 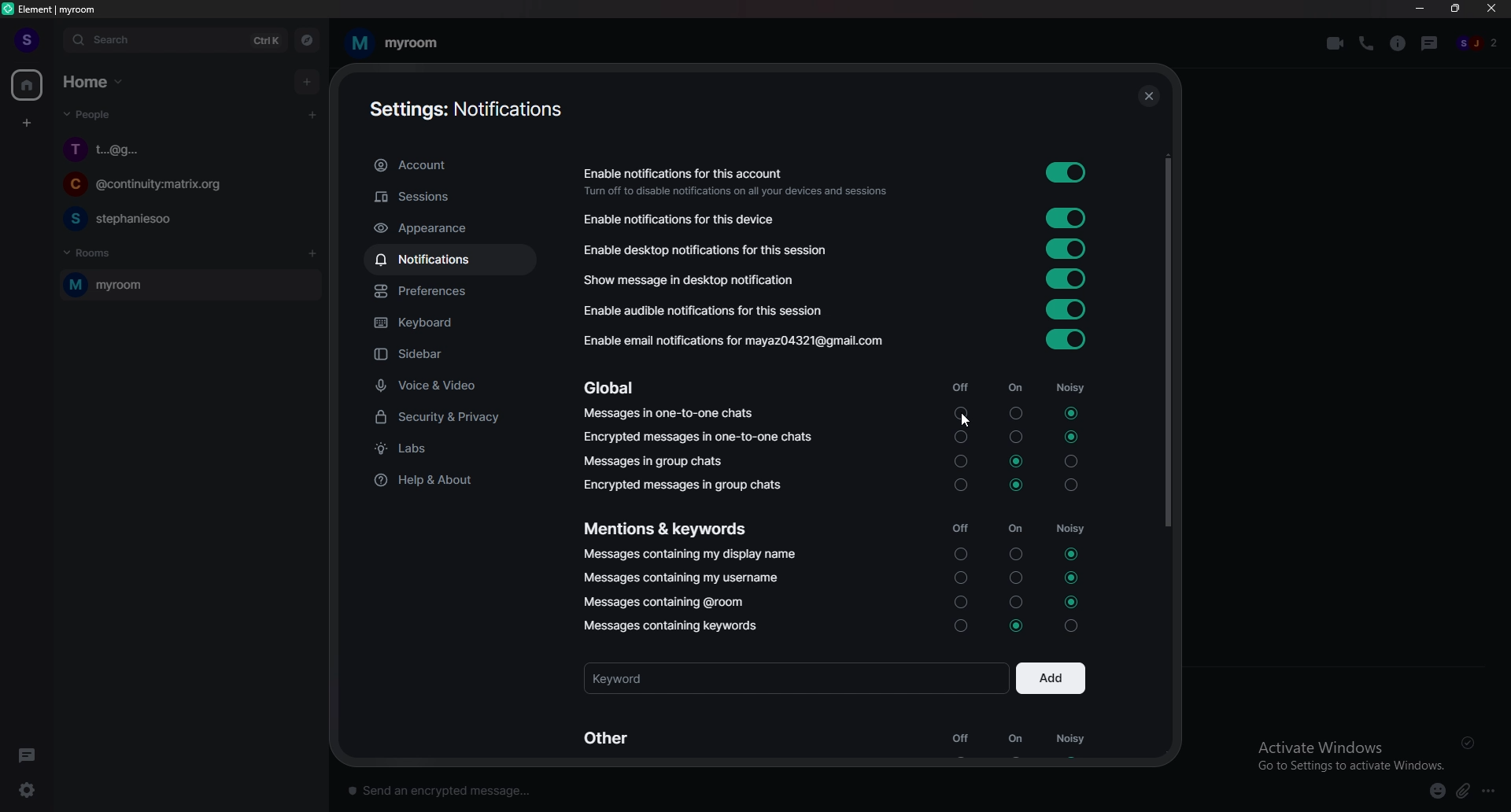 What do you see at coordinates (684, 485) in the screenshot?
I see `Encrypted messages in group chats` at bounding box center [684, 485].